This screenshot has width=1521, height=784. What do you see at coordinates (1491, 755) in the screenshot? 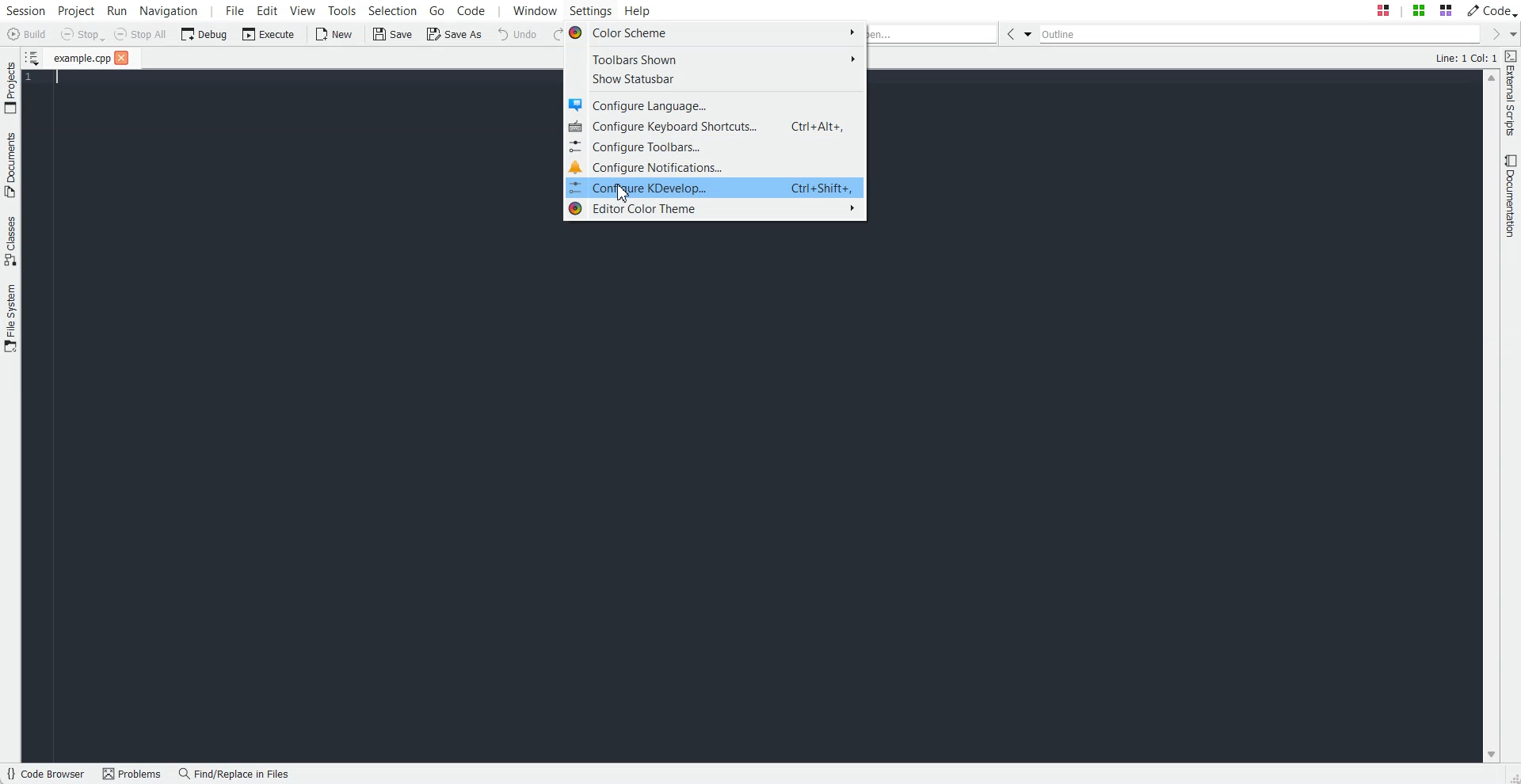
I see `Scroll down` at bounding box center [1491, 755].